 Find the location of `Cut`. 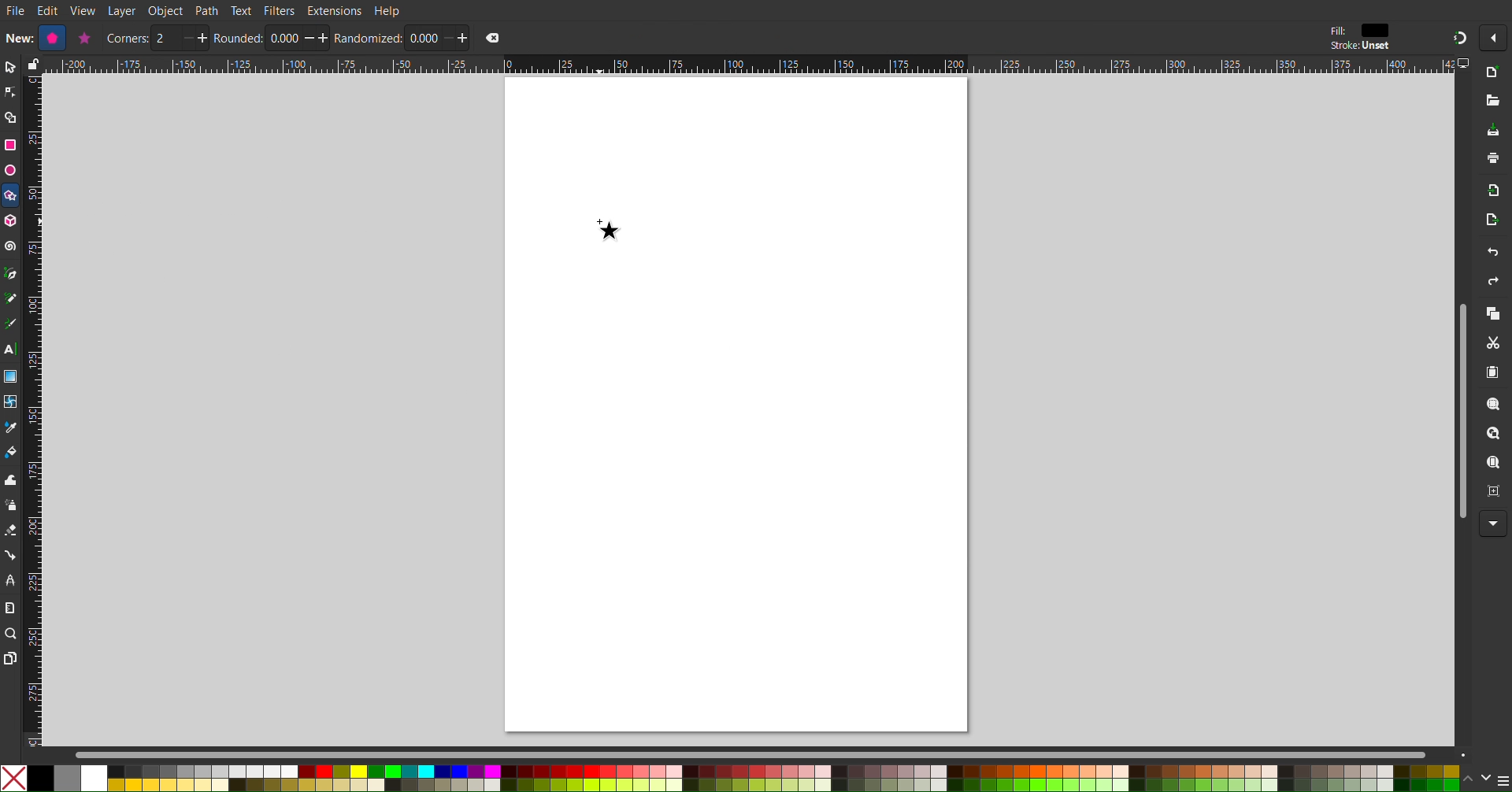

Cut is located at coordinates (1496, 344).